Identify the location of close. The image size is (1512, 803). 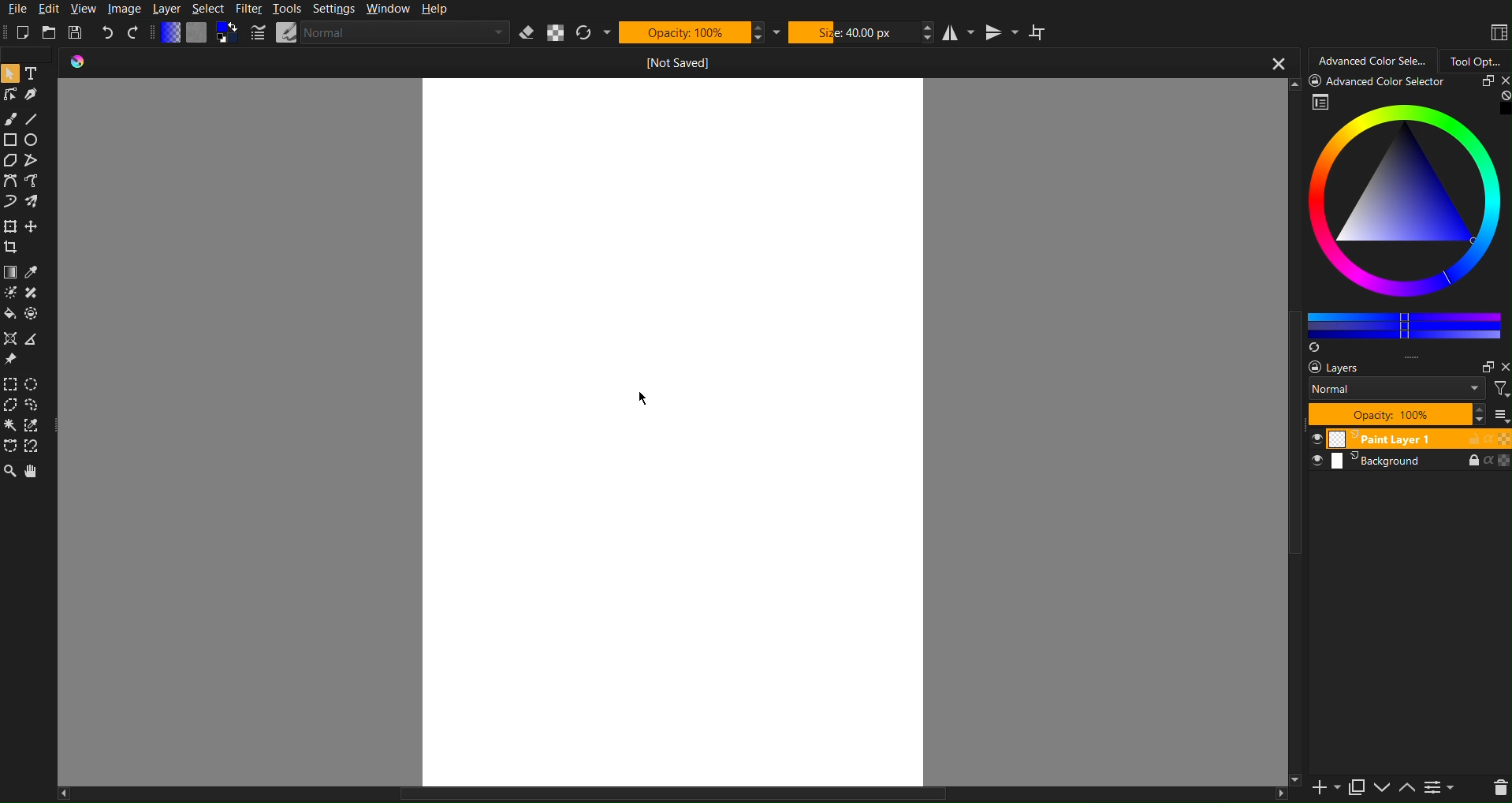
(1503, 364).